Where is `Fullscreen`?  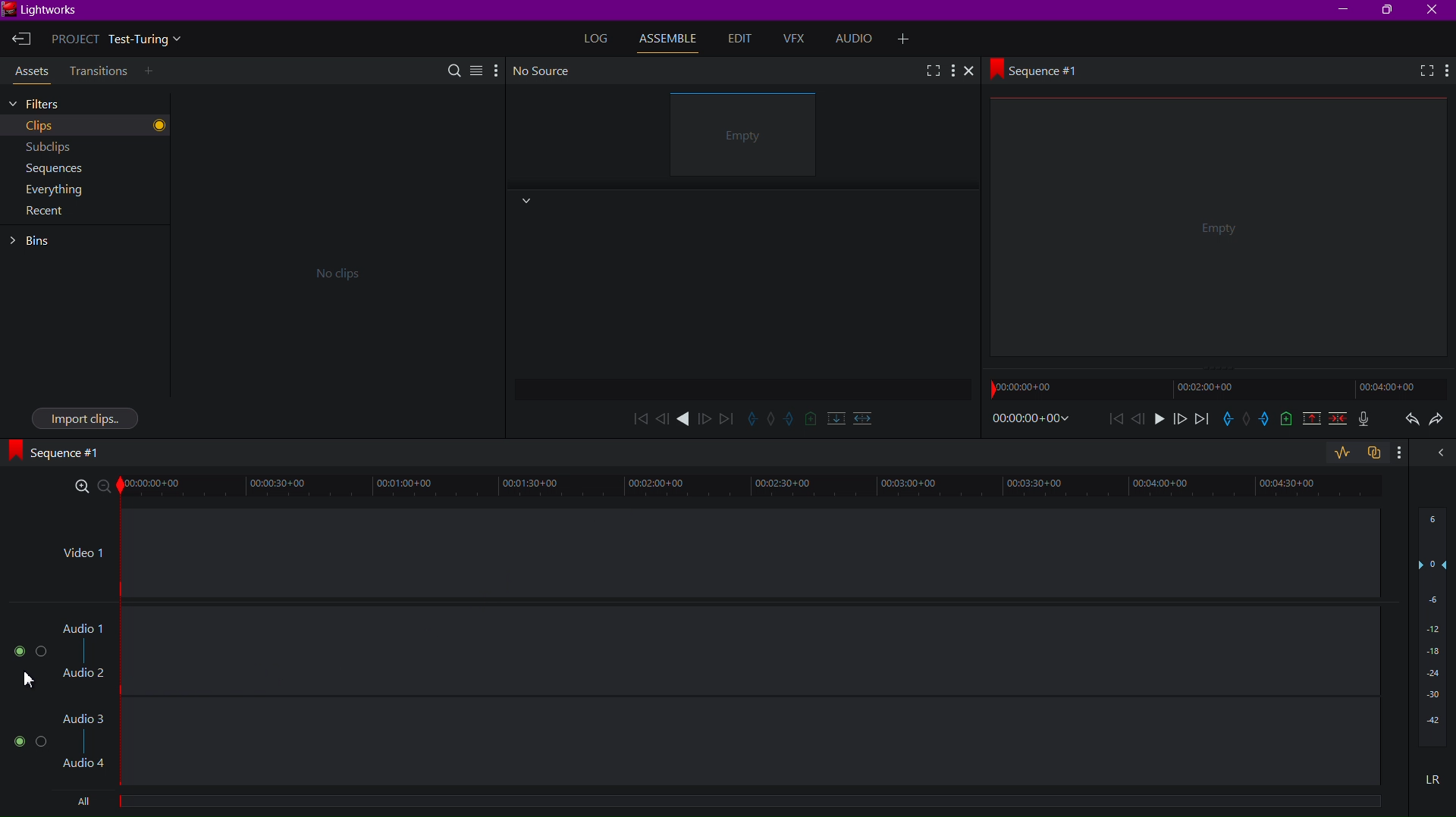 Fullscreen is located at coordinates (1419, 72).